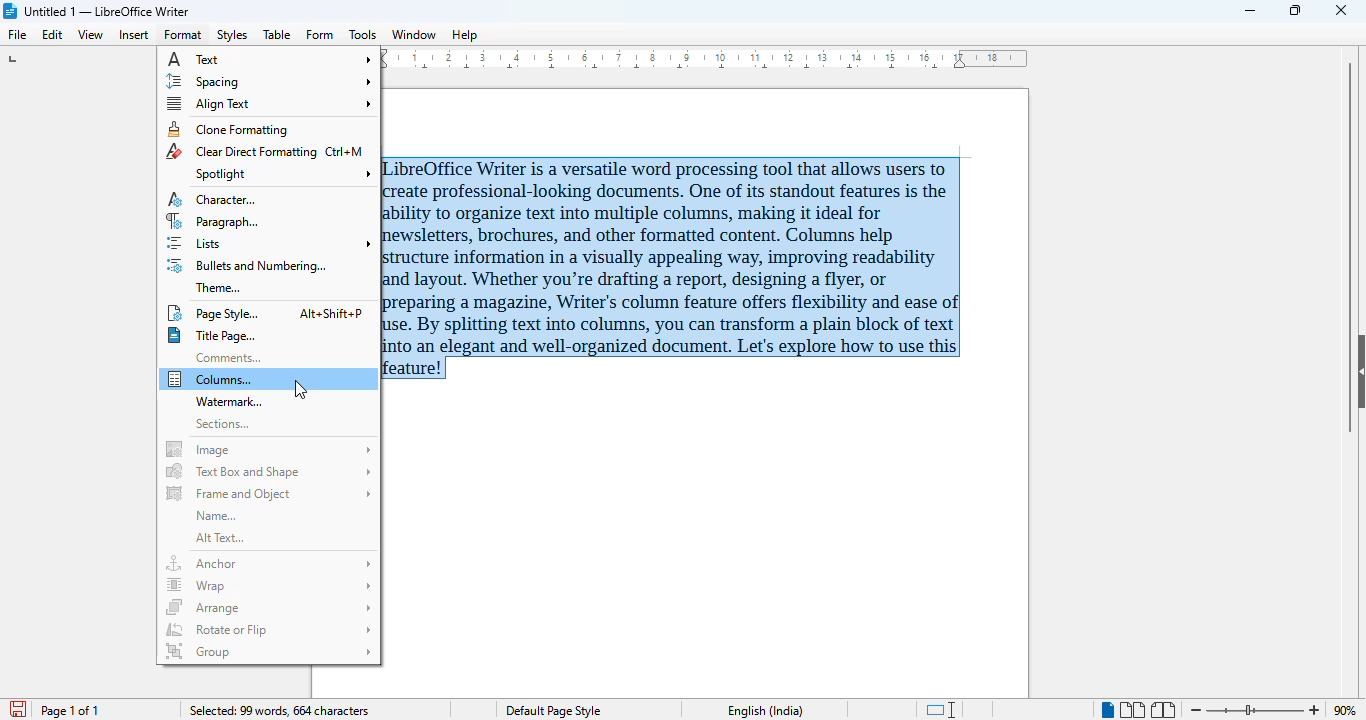  I want to click on insert, so click(133, 35).